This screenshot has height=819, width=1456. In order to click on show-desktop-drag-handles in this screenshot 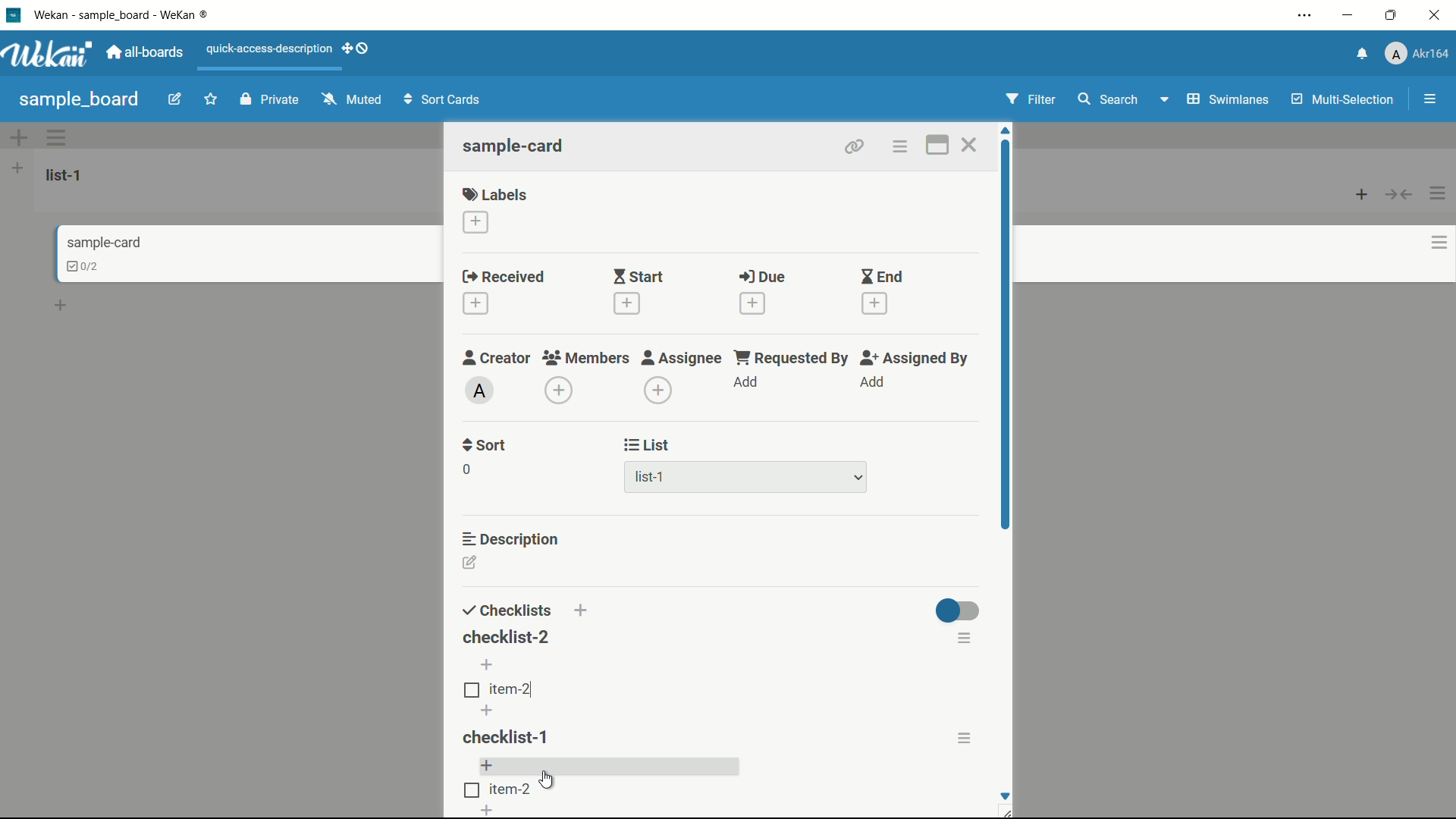, I will do `click(358, 47)`.